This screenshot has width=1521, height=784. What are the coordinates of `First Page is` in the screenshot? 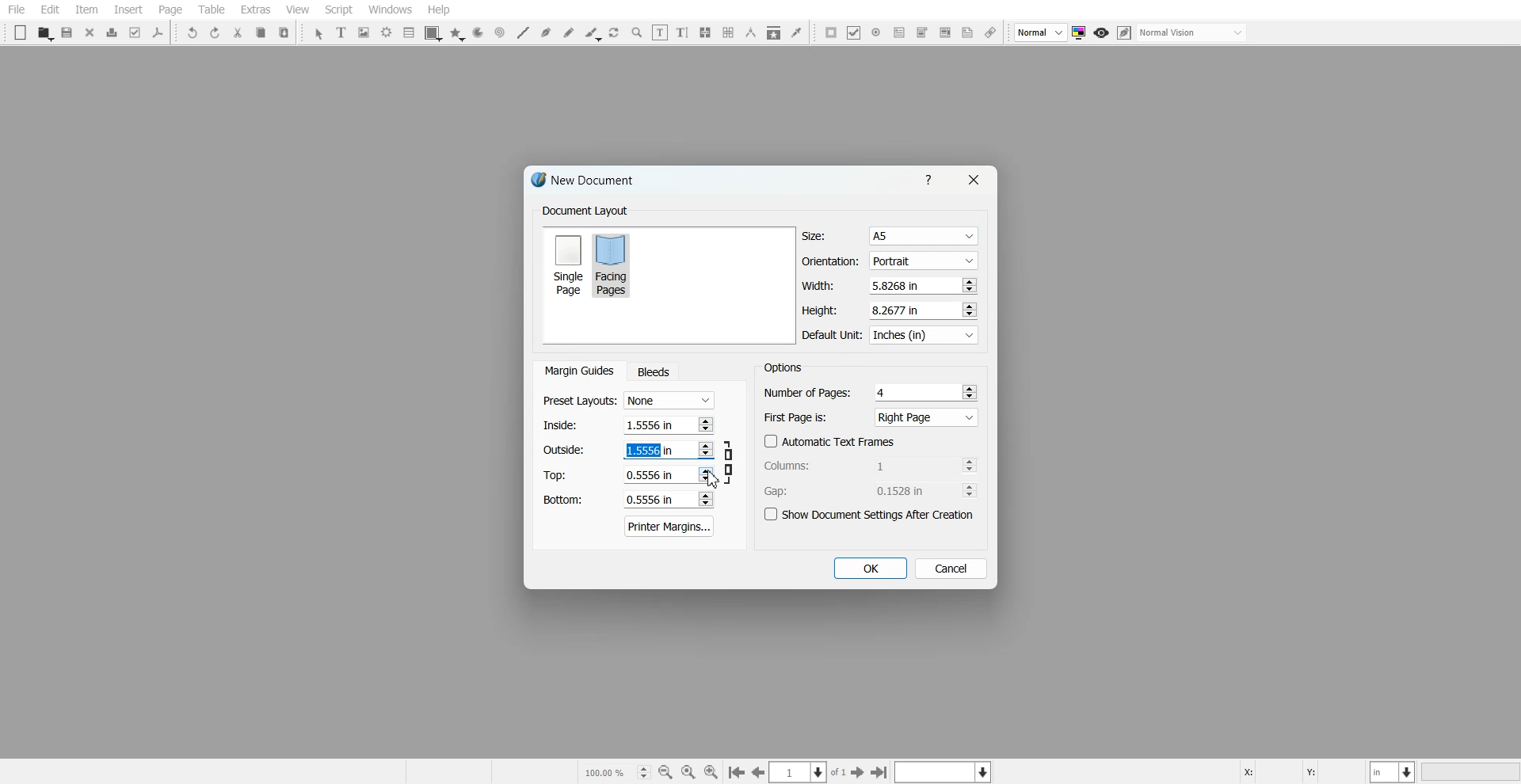 It's located at (871, 417).